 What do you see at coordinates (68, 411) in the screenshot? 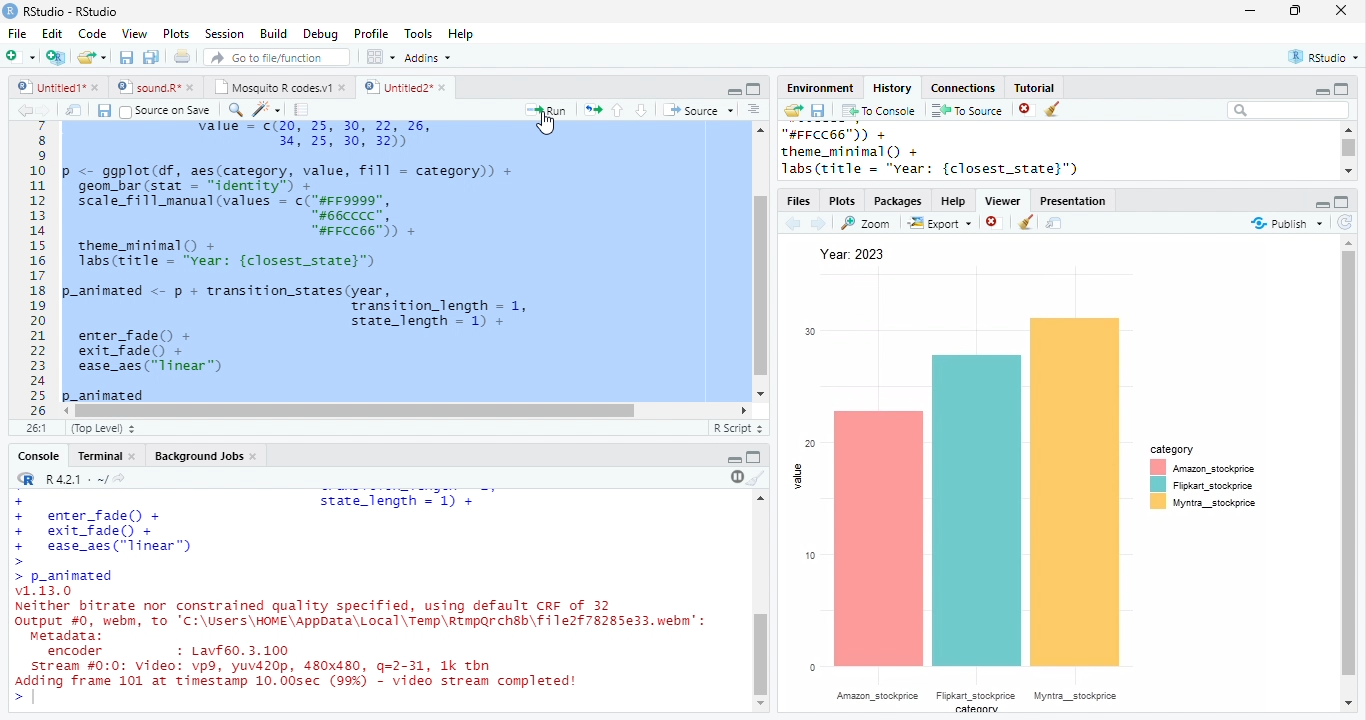
I see `scroll right` at bounding box center [68, 411].